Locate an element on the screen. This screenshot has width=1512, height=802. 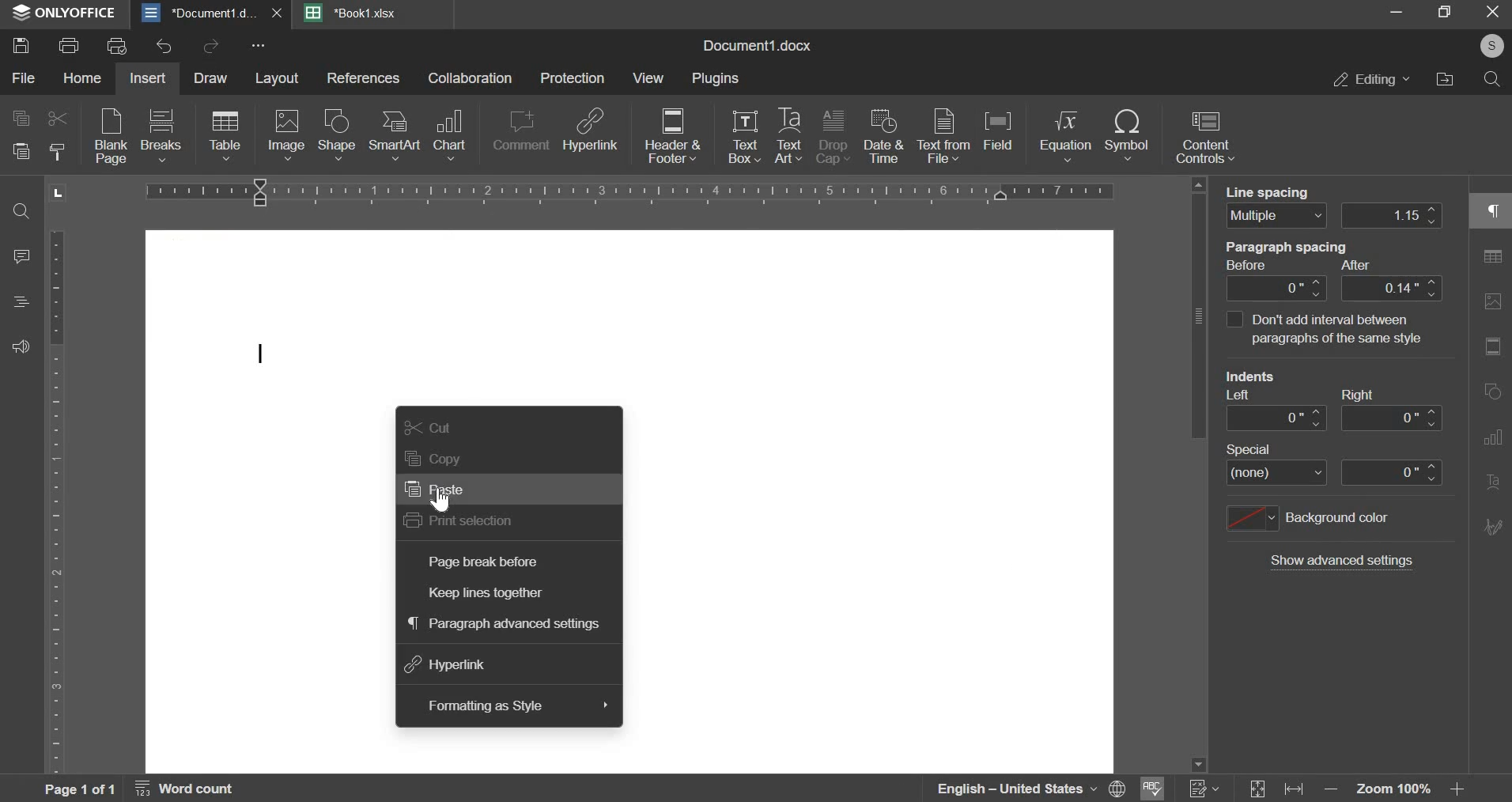
document is located at coordinates (213, 12).